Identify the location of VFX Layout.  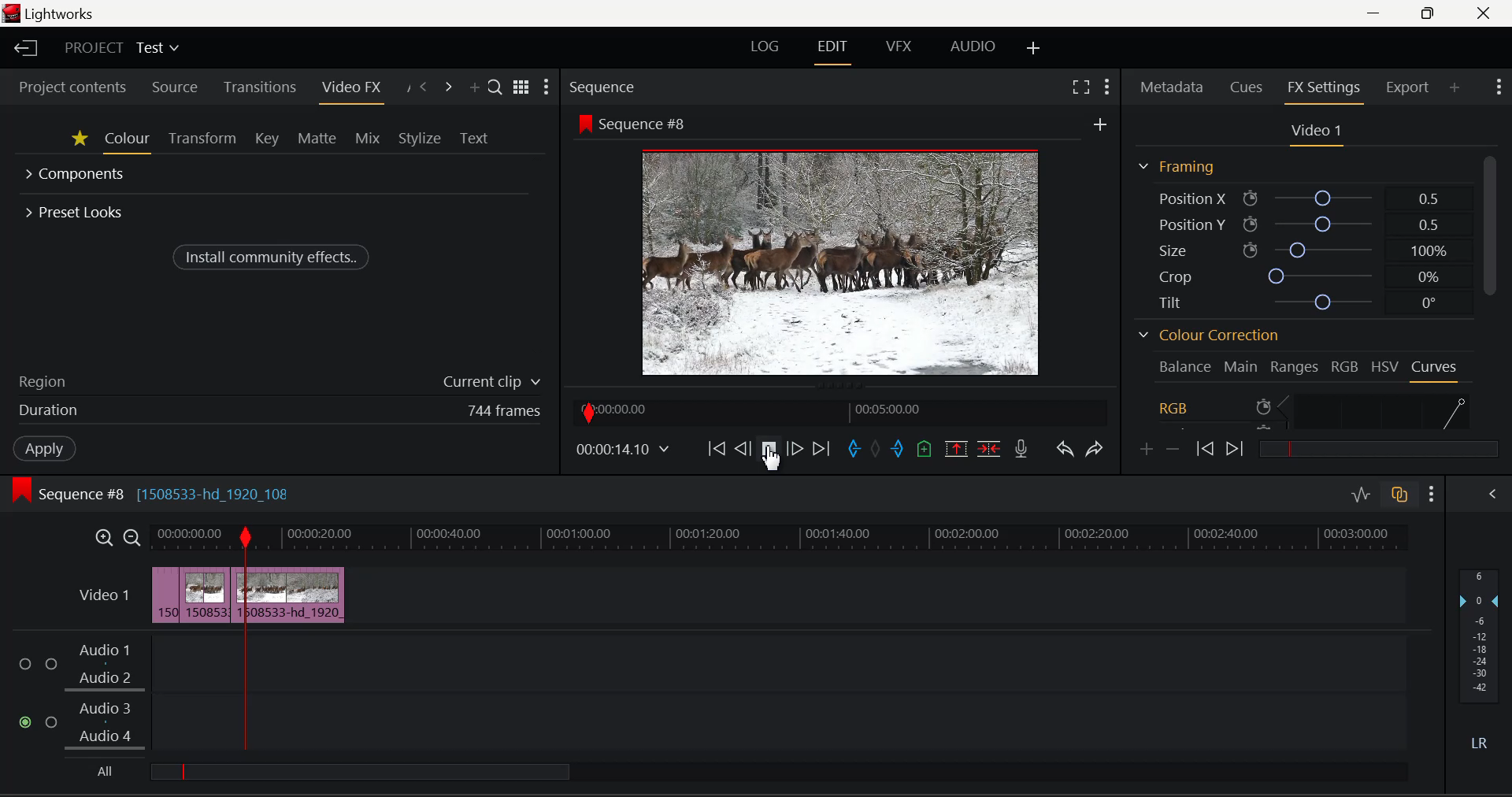
(897, 48).